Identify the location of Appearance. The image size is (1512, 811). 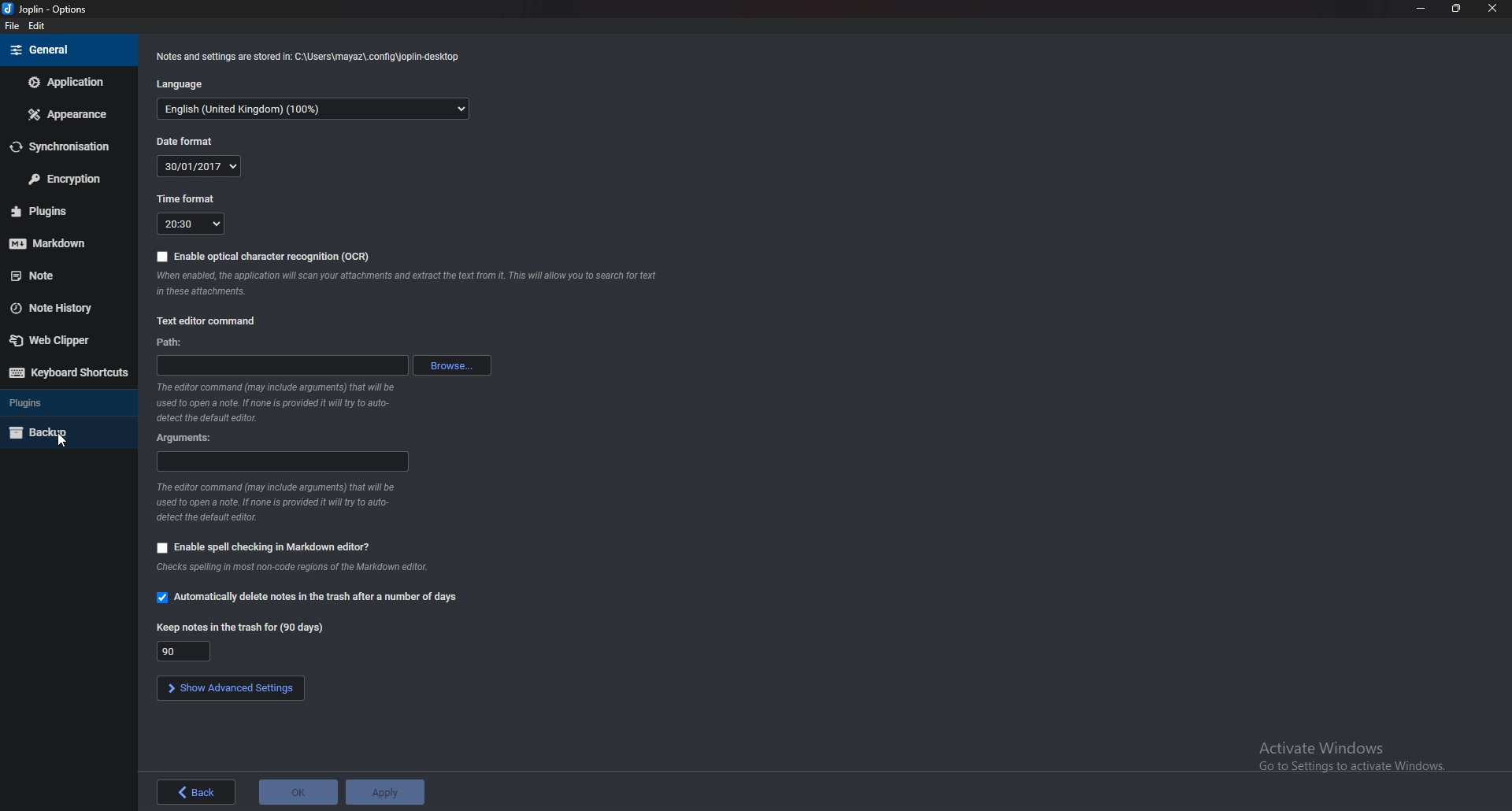
(72, 113).